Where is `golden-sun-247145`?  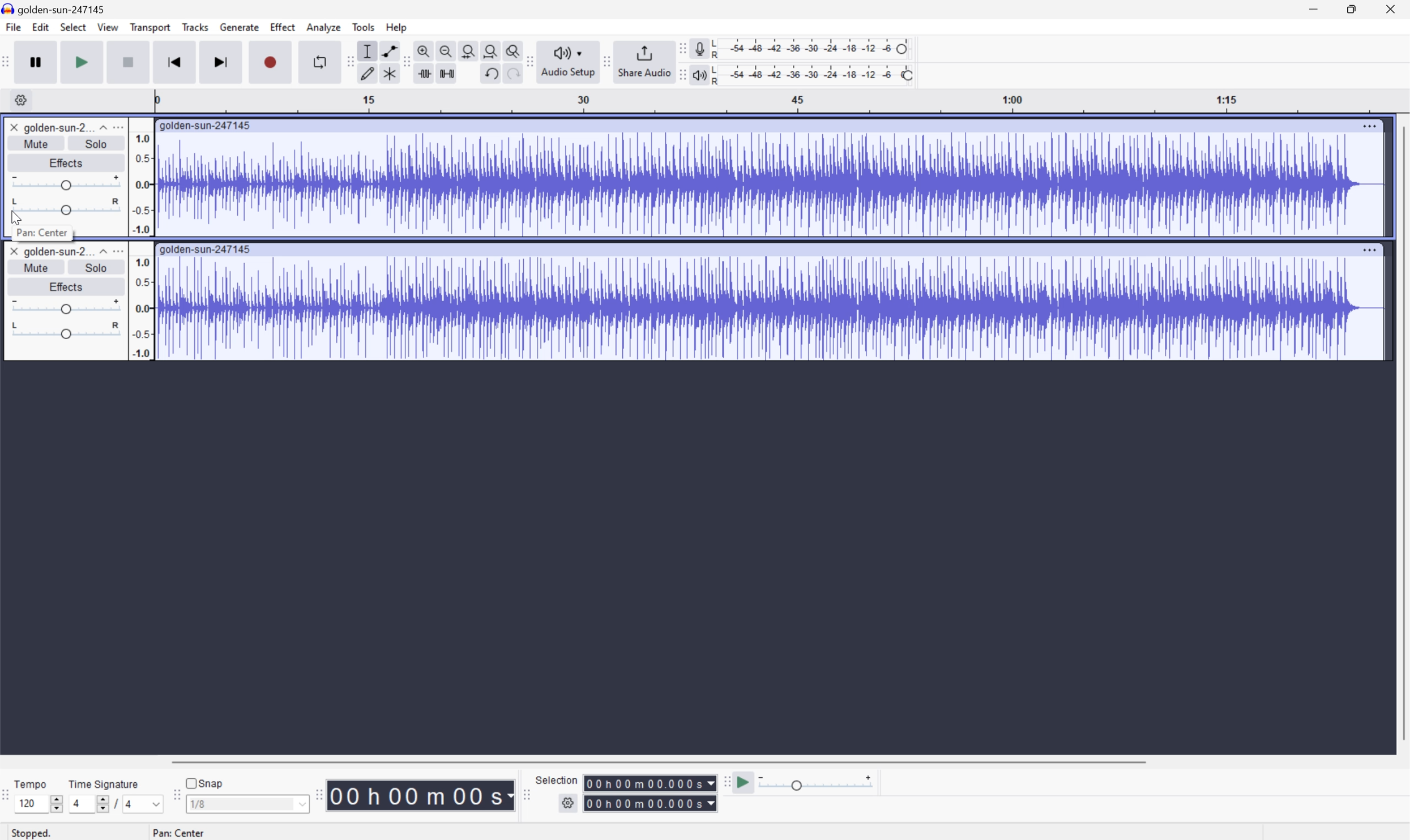
golden-sun-247145 is located at coordinates (206, 246).